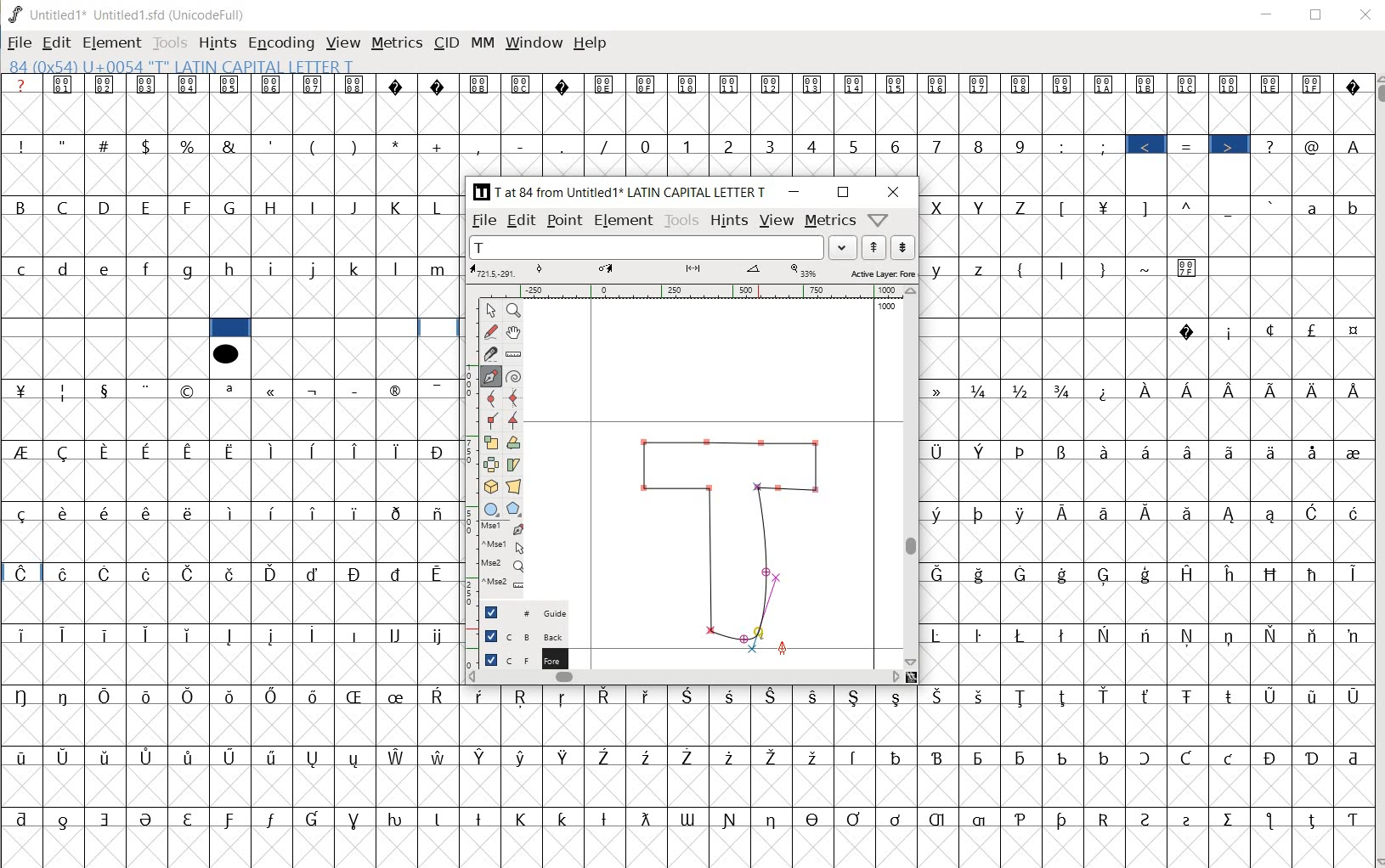  Describe the element at coordinates (270, 145) in the screenshot. I see `'` at that location.